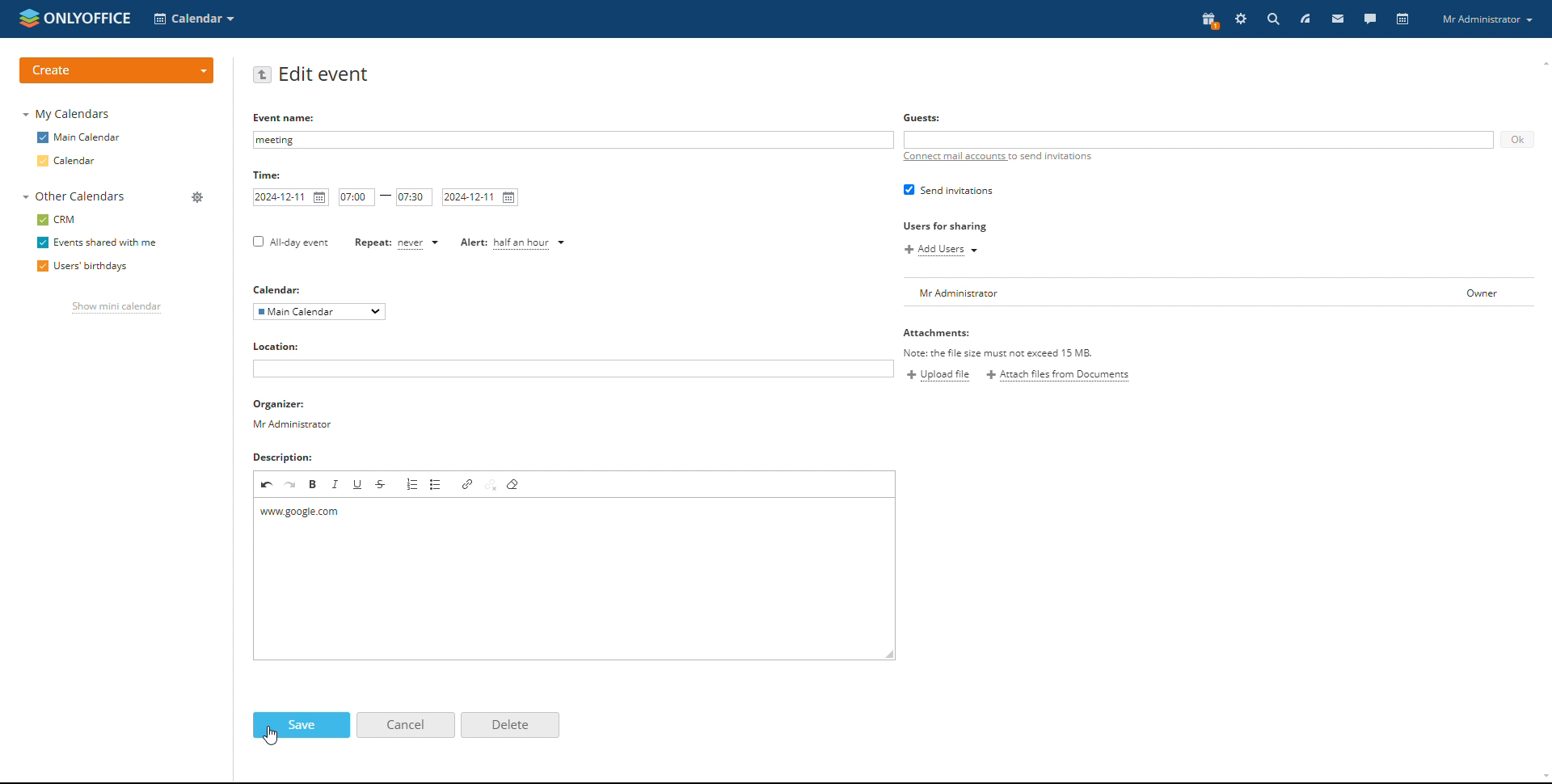 This screenshot has height=784, width=1552. What do you see at coordinates (532, 243) in the screenshot?
I see `set alert` at bounding box center [532, 243].